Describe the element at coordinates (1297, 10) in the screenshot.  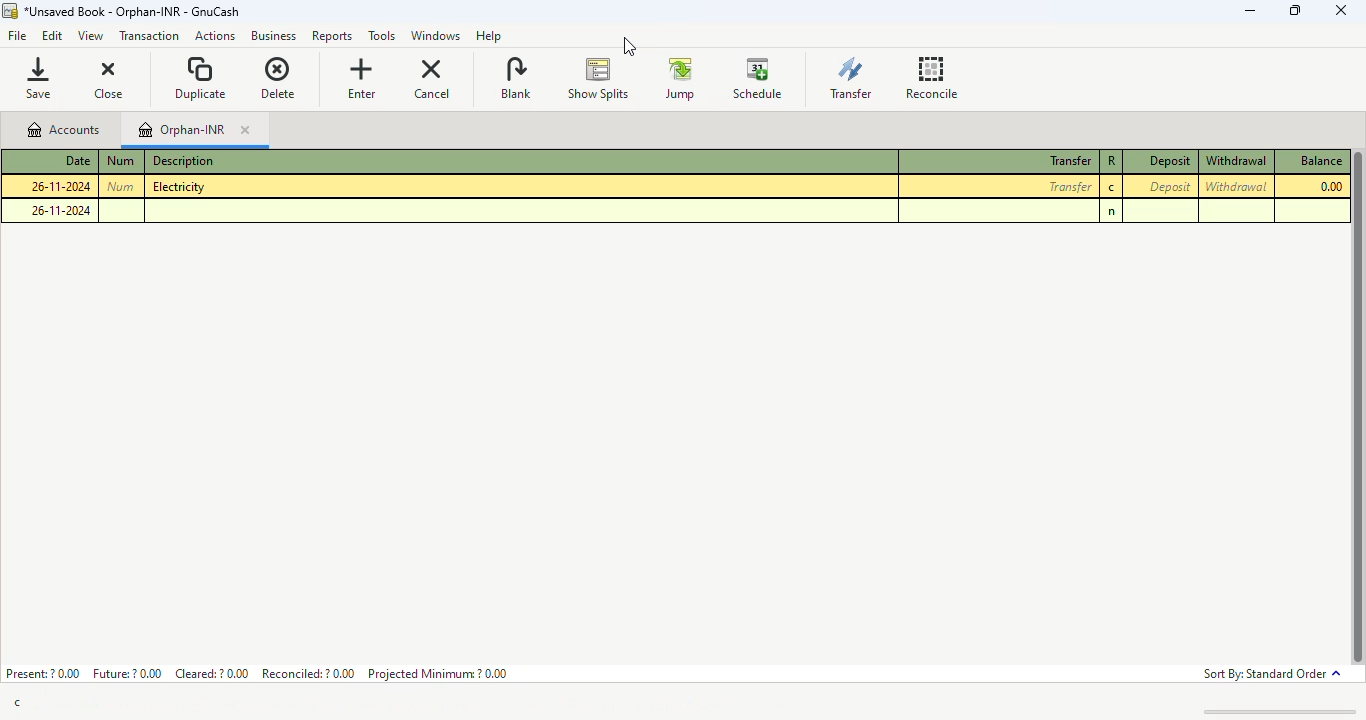
I see `maximize` at that location.